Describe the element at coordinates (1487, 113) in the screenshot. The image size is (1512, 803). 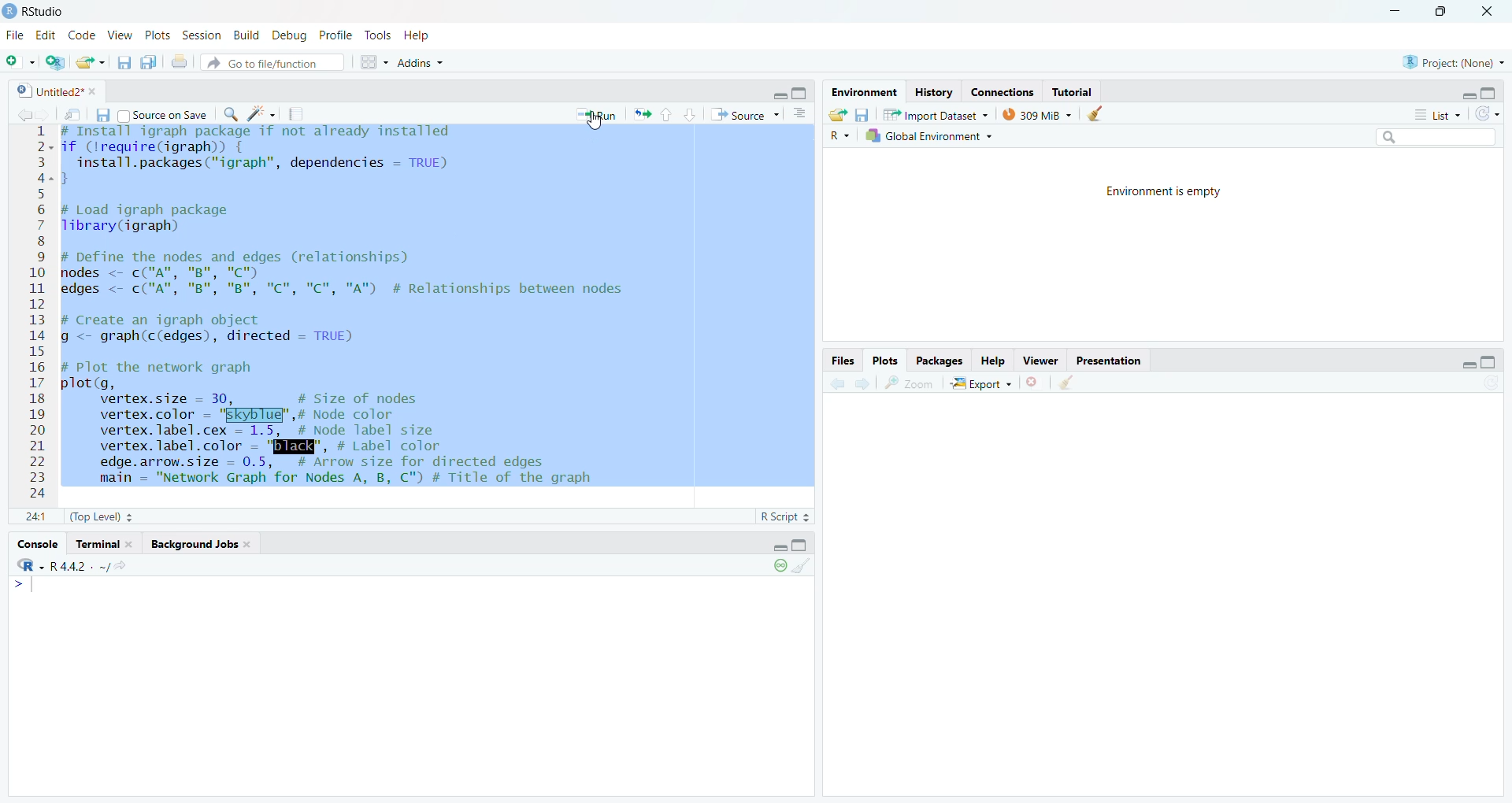
I see `refresh` at that location.